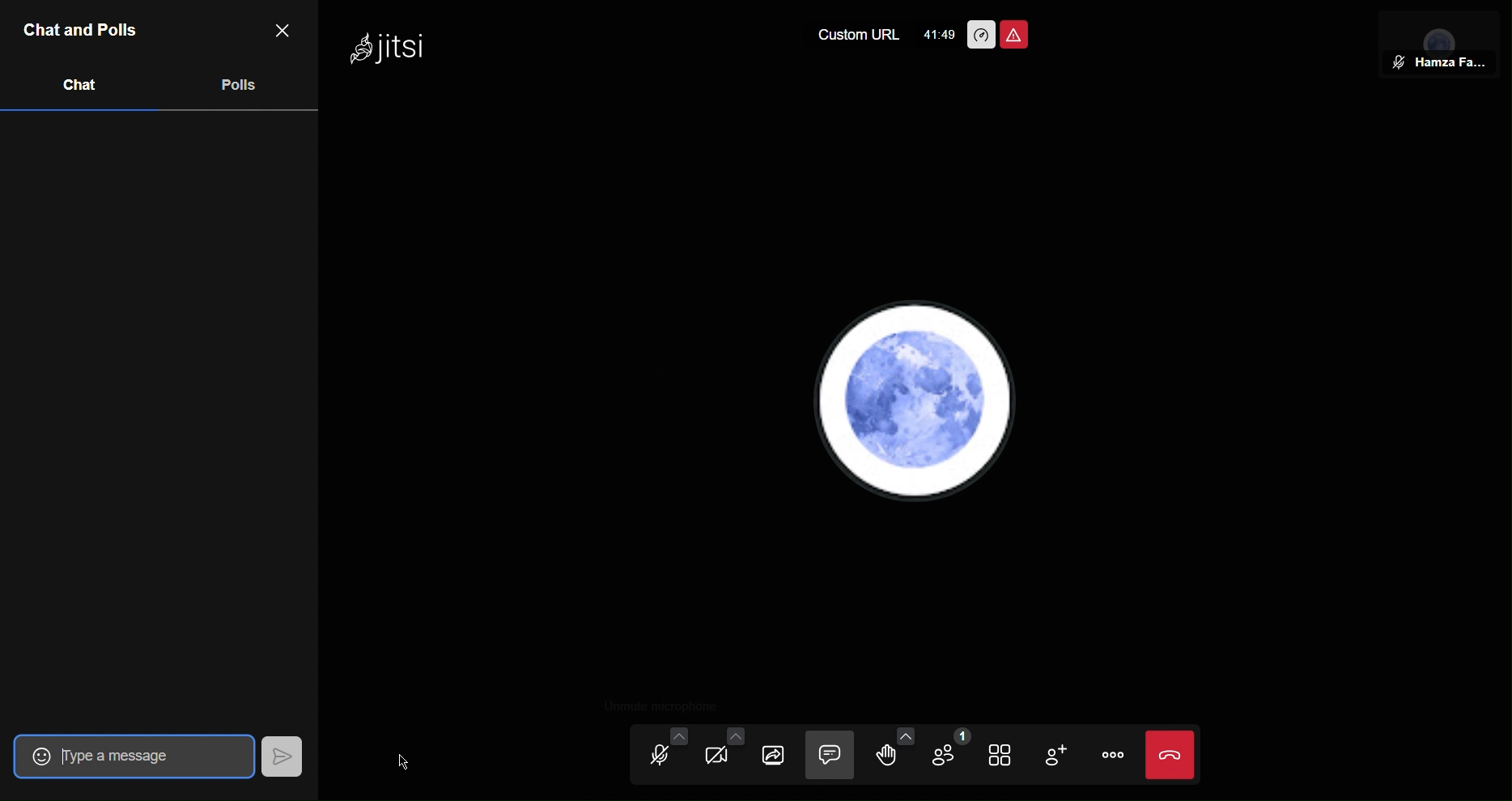 This screenshot has width=1512, height=801. I want to click on Jitsi, so click(392, 46).